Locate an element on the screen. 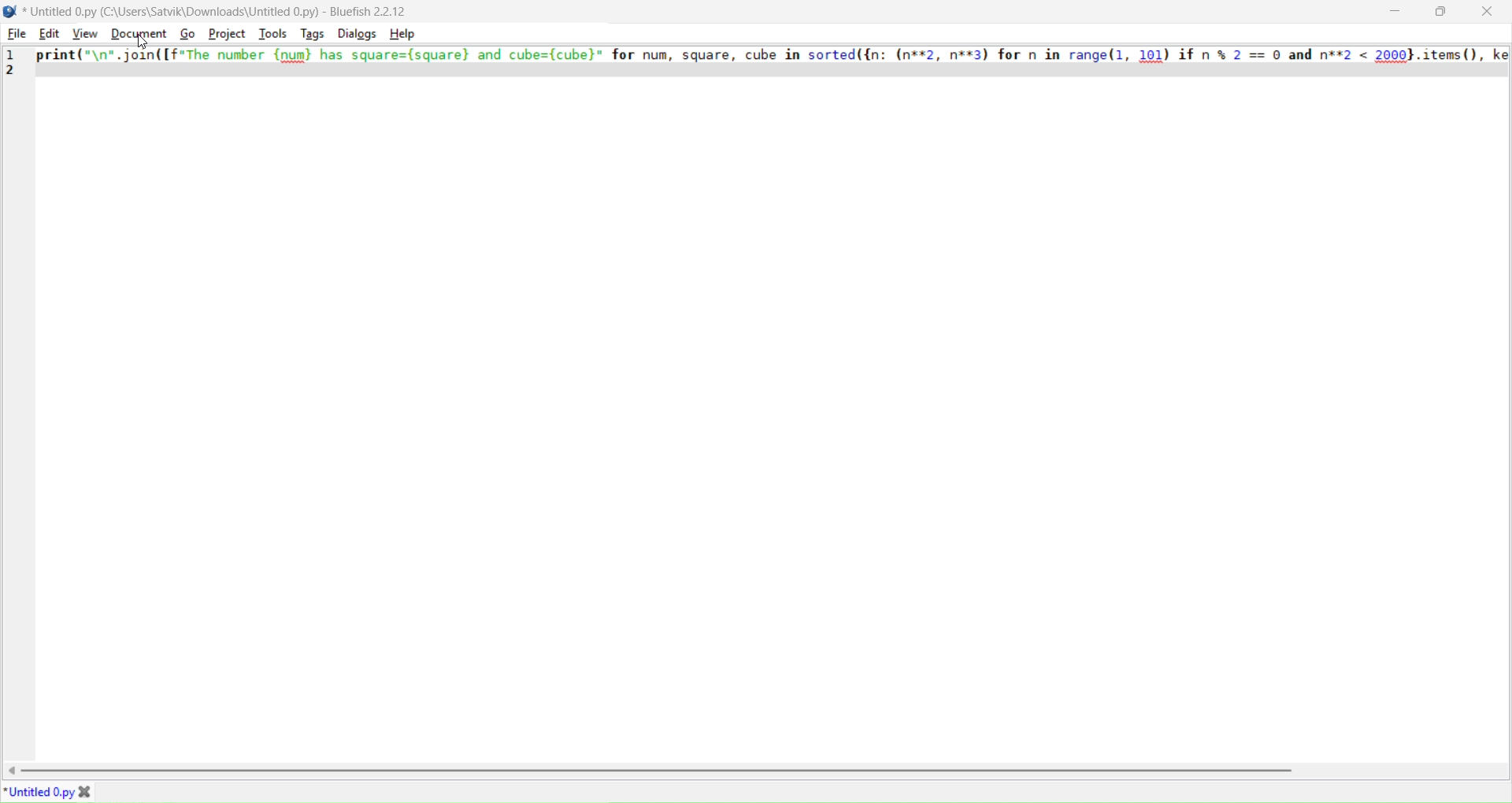  line number 1 is located at coordinates (11, 52).